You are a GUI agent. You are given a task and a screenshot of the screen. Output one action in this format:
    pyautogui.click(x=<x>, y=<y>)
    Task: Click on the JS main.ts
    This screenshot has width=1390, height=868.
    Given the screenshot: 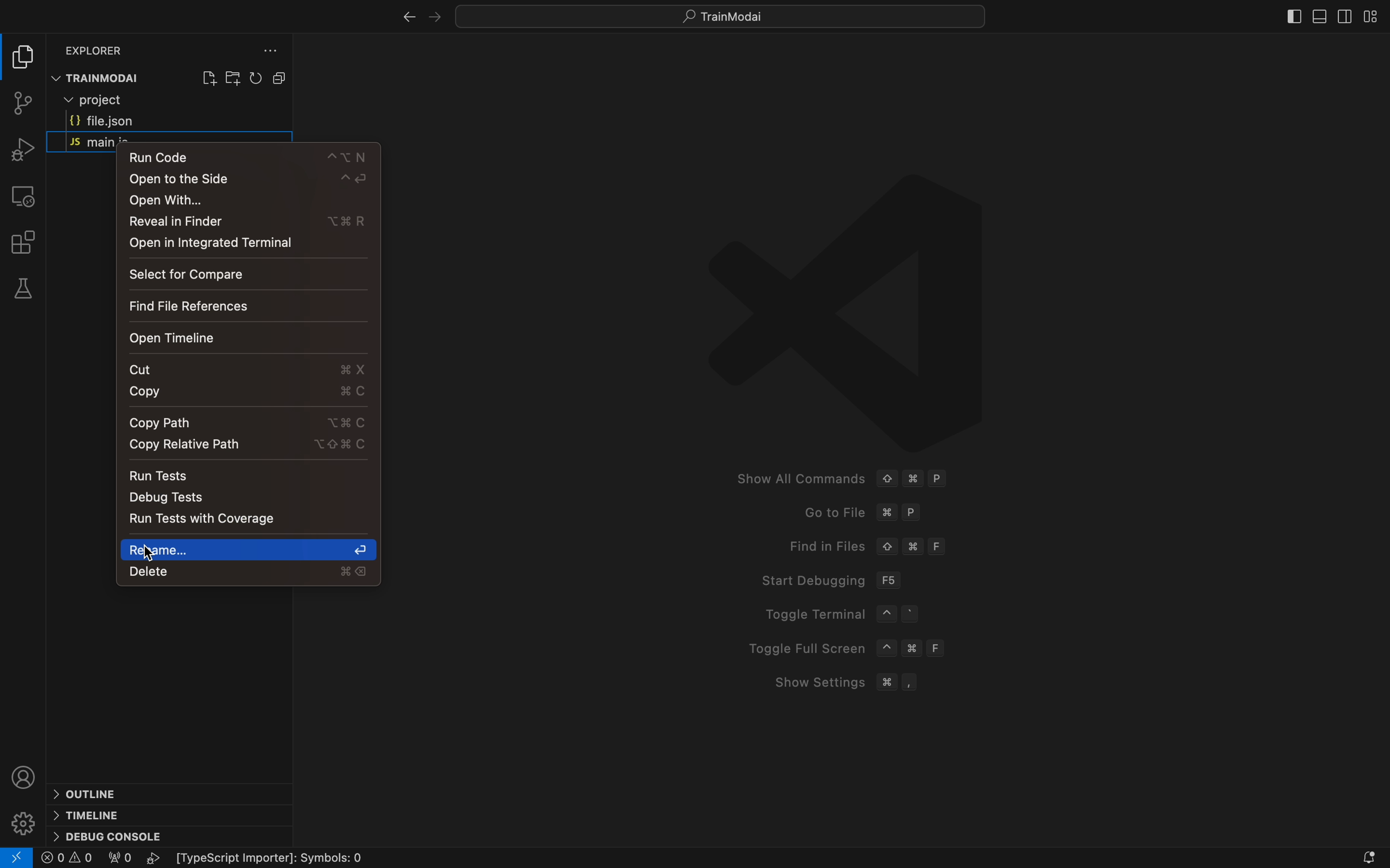 What is the action you would take?
    pyautogui.click(x=173, y=142)
    